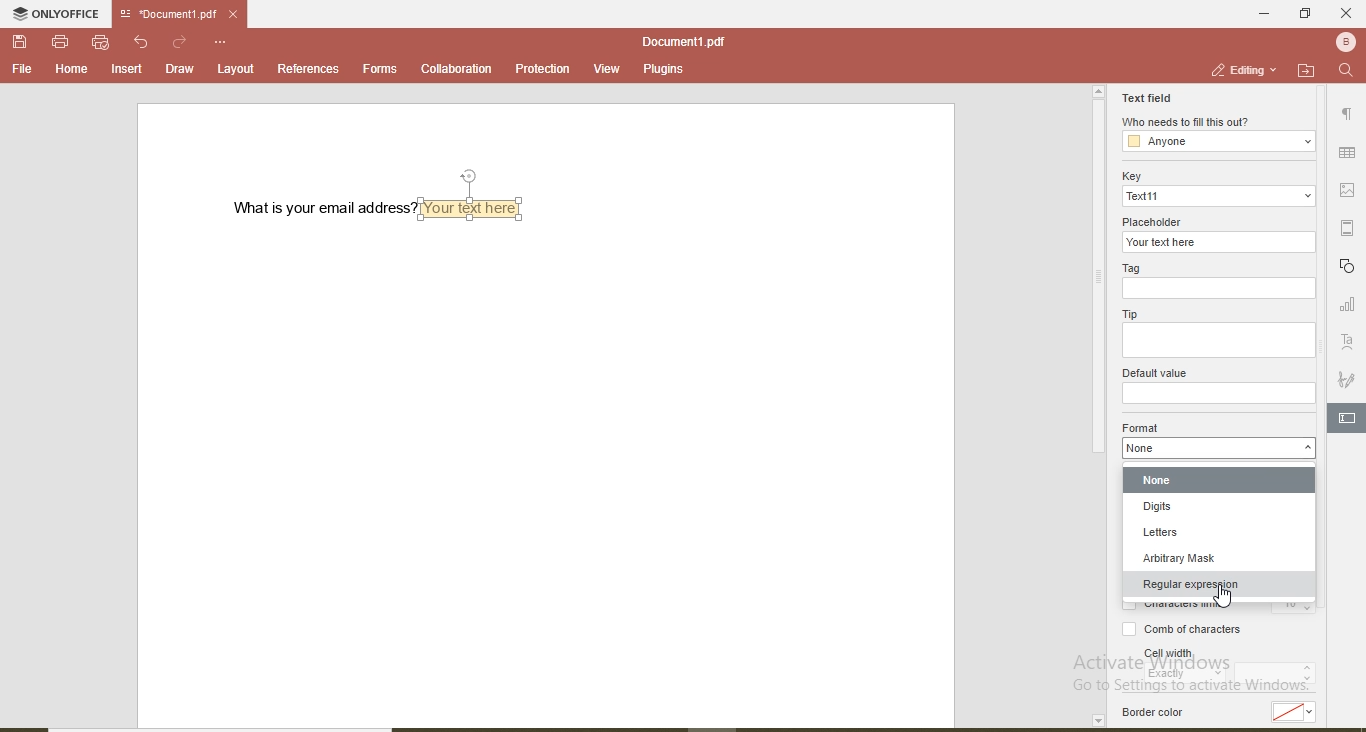  What do you see at coordinates (240, 14) in the screenshot?
I see `close file` at bounding box center [240, 14].